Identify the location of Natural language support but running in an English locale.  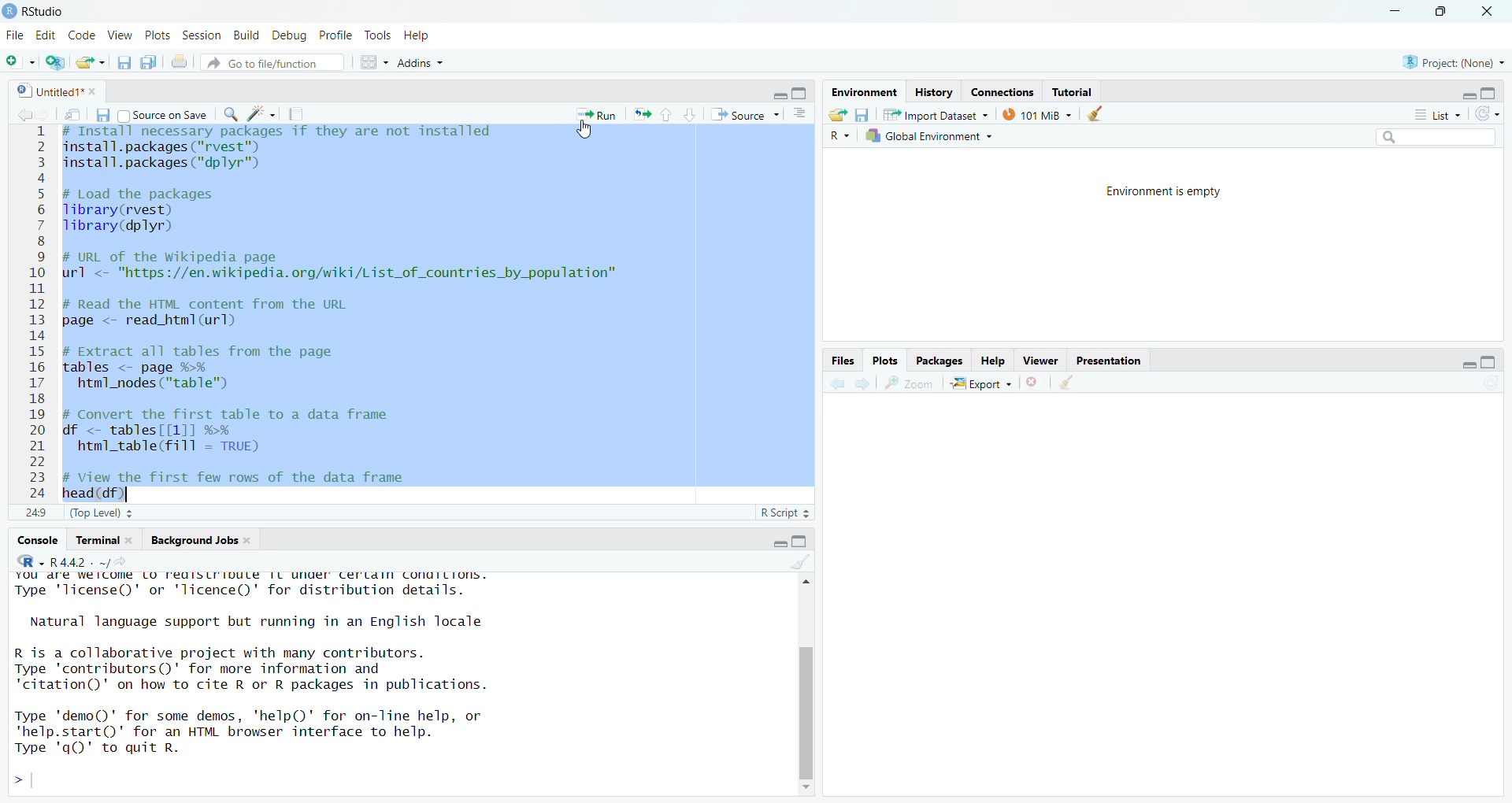
(258, 622).